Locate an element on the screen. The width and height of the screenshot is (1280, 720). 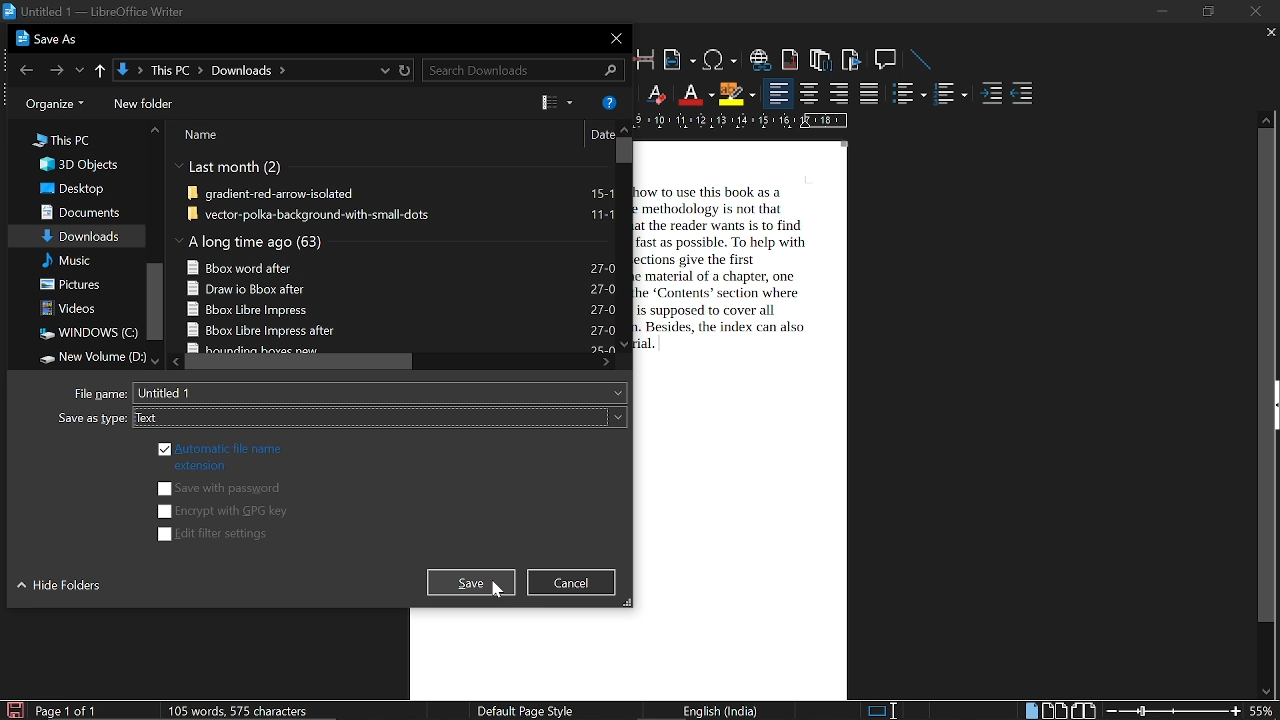
vertically scrollbar is located at coordinates (1267, 376).